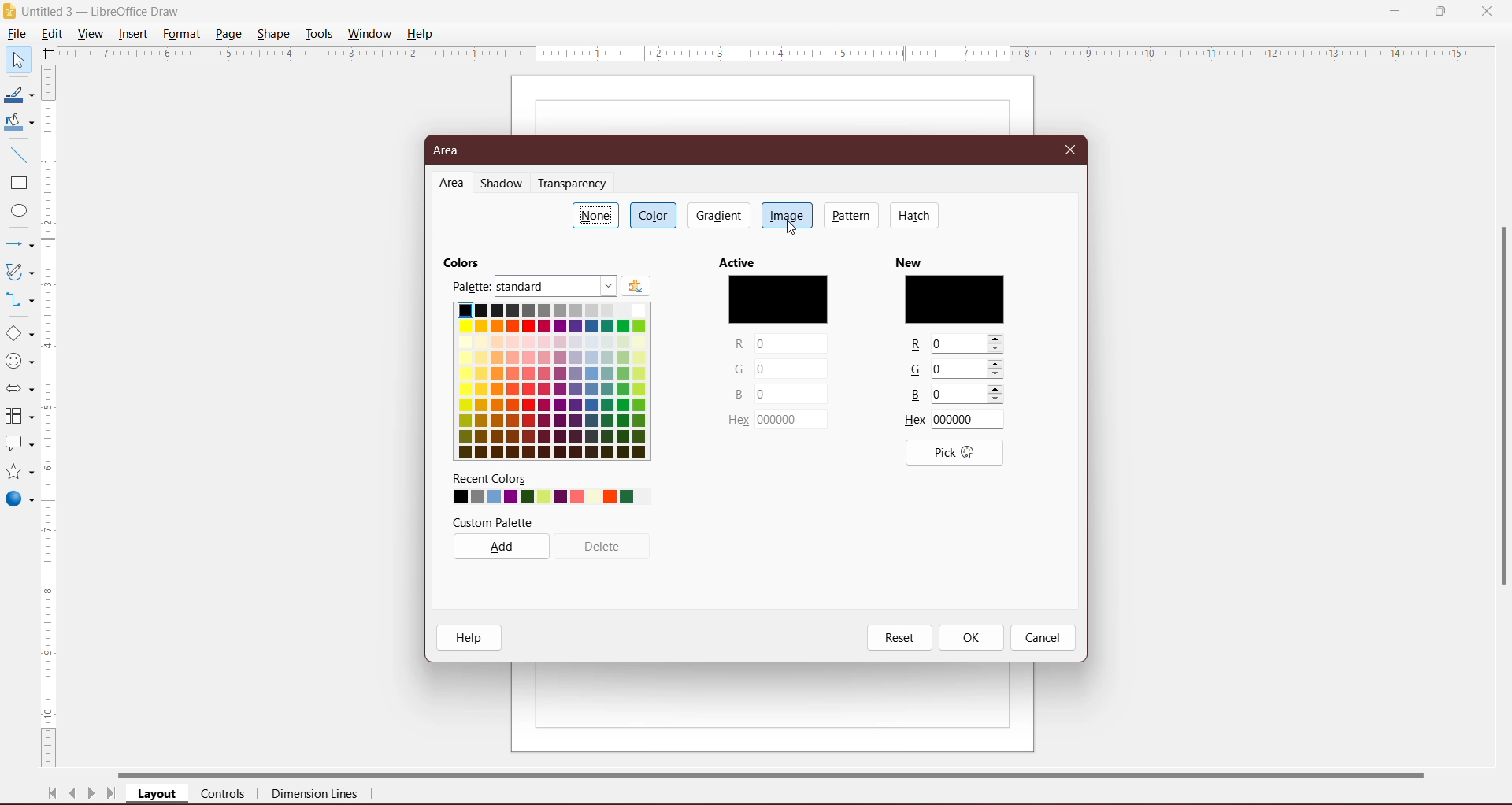 This screenshot has height=805, width=1512. I want to click on delete, so click(605, 545).